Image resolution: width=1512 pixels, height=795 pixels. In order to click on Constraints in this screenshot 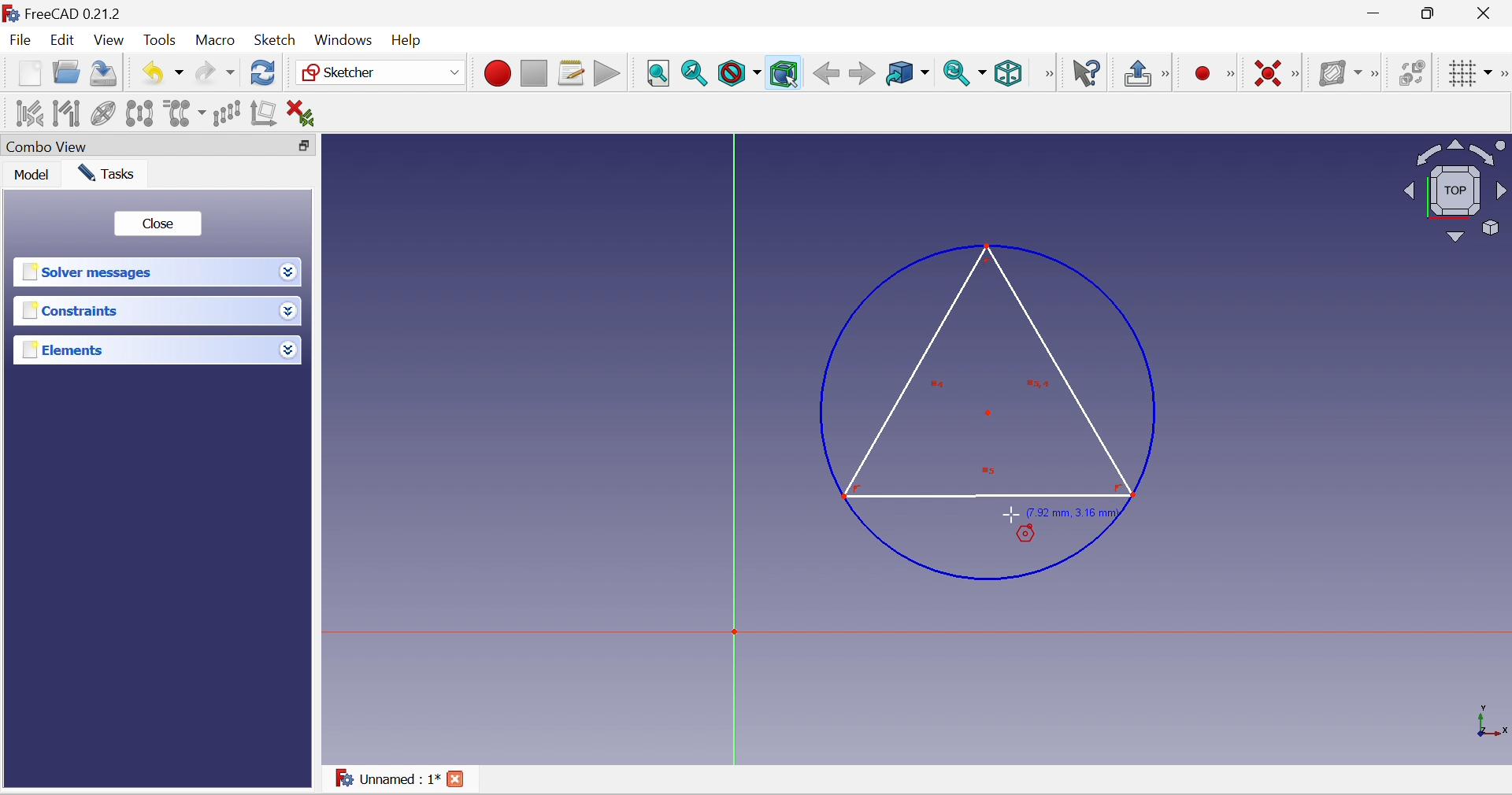, I will do `click(143, 311)`.